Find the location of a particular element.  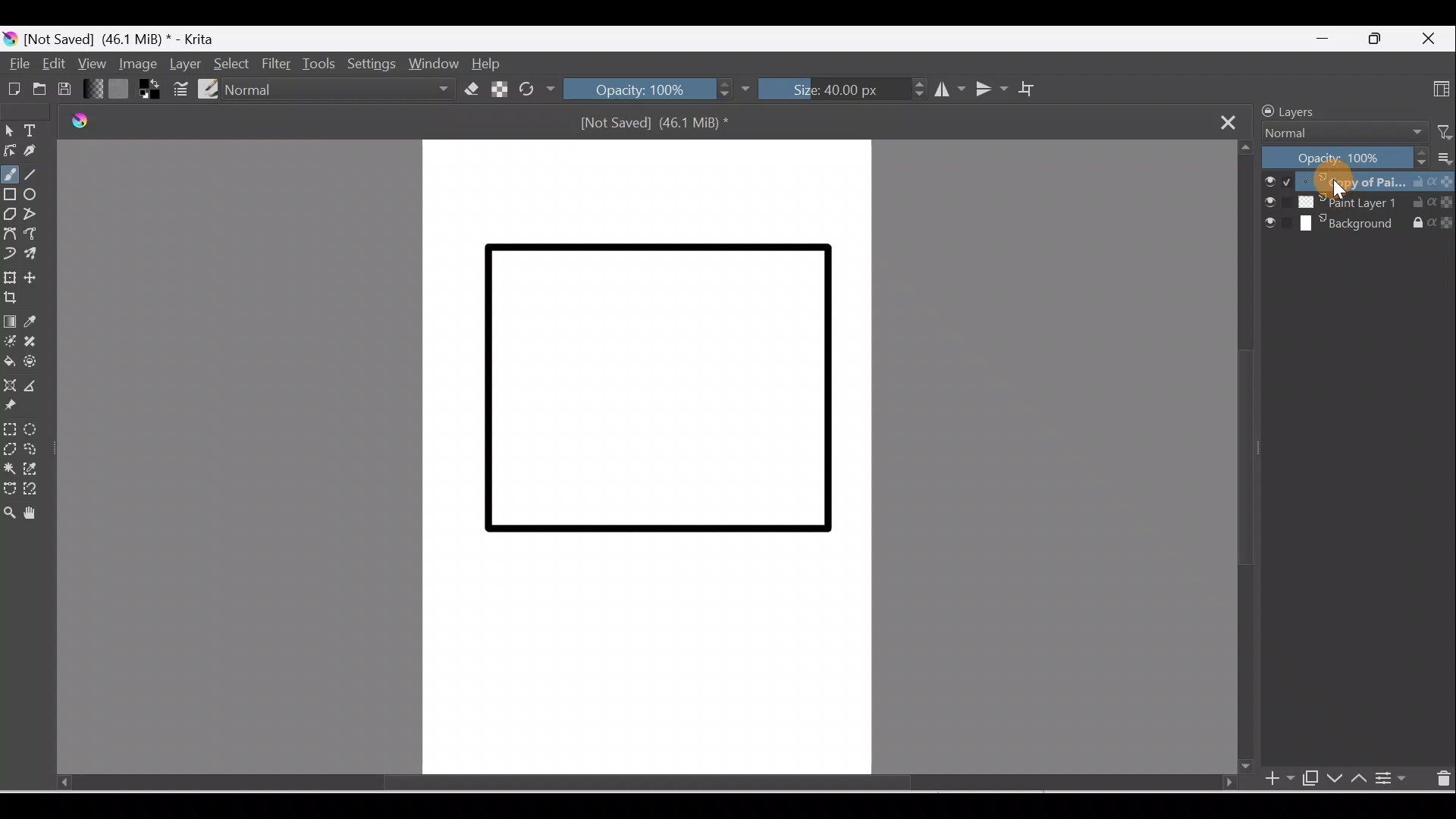

Text tool is located at coordinates (37, 132).